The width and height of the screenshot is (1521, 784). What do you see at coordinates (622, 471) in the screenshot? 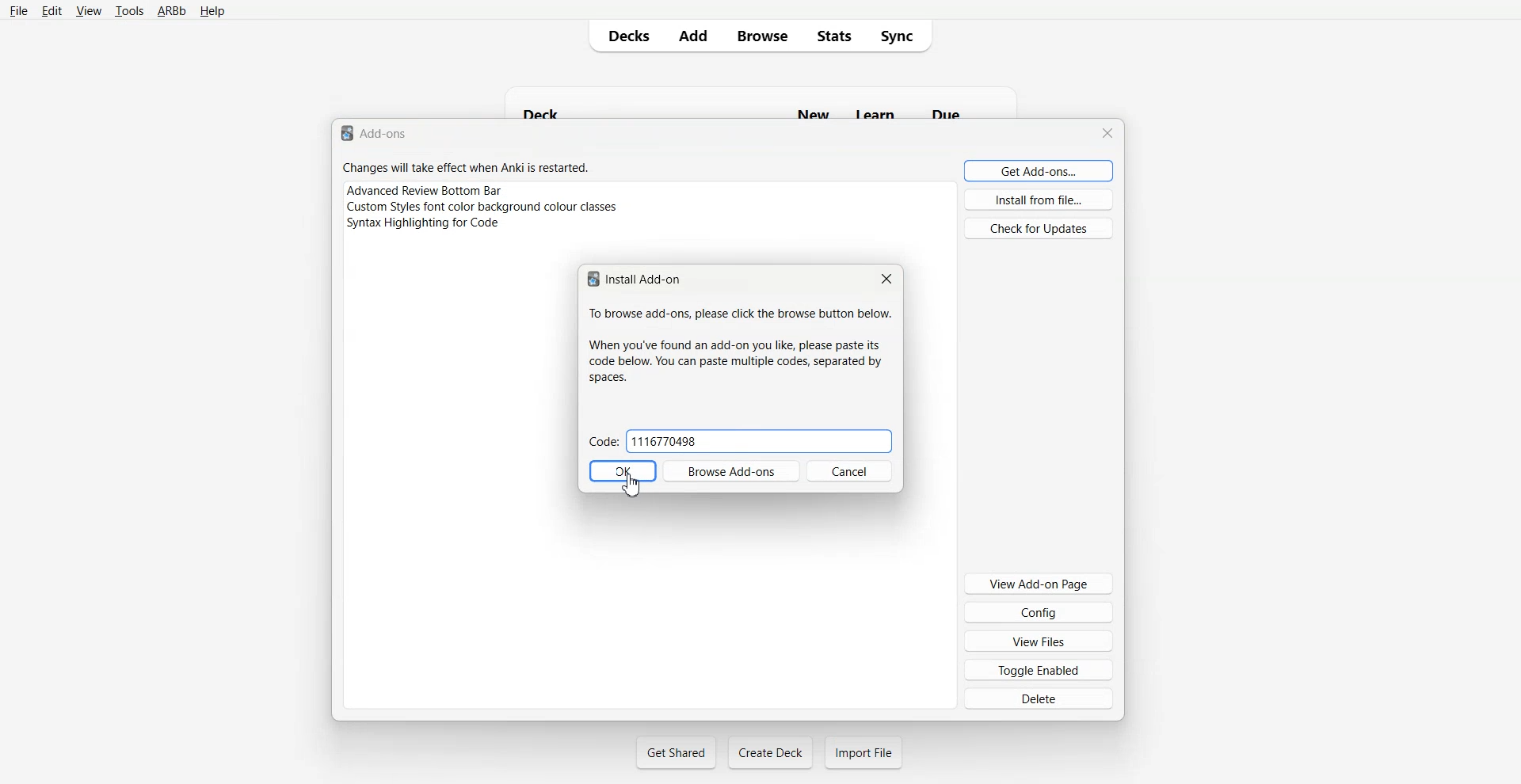
I see `OK` at bounding box center [622, 471].